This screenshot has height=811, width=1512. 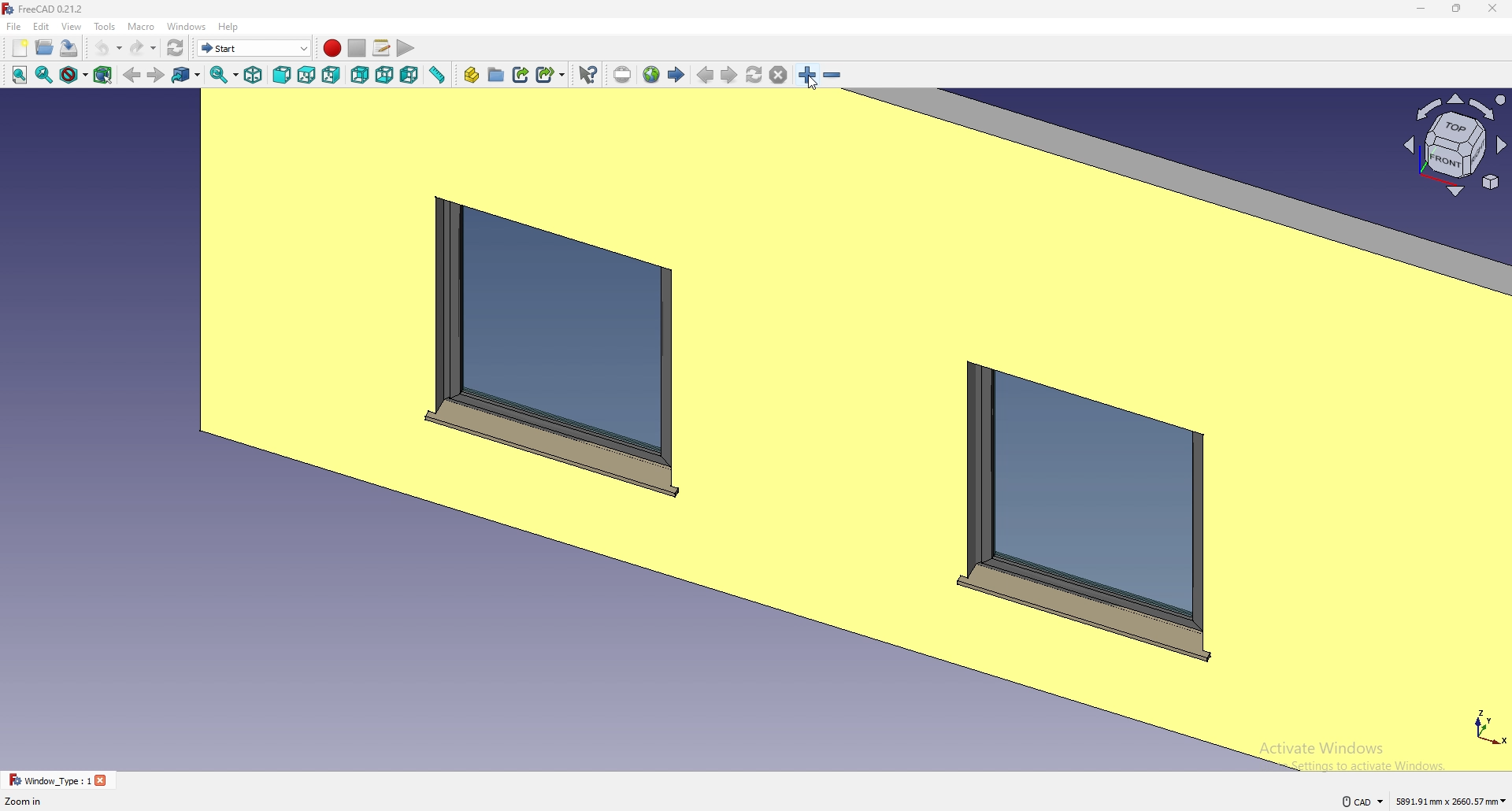 What do you see at coordinates (384, 76) in the screenshot?
I see `bottom` at bounding box center [384, 76].